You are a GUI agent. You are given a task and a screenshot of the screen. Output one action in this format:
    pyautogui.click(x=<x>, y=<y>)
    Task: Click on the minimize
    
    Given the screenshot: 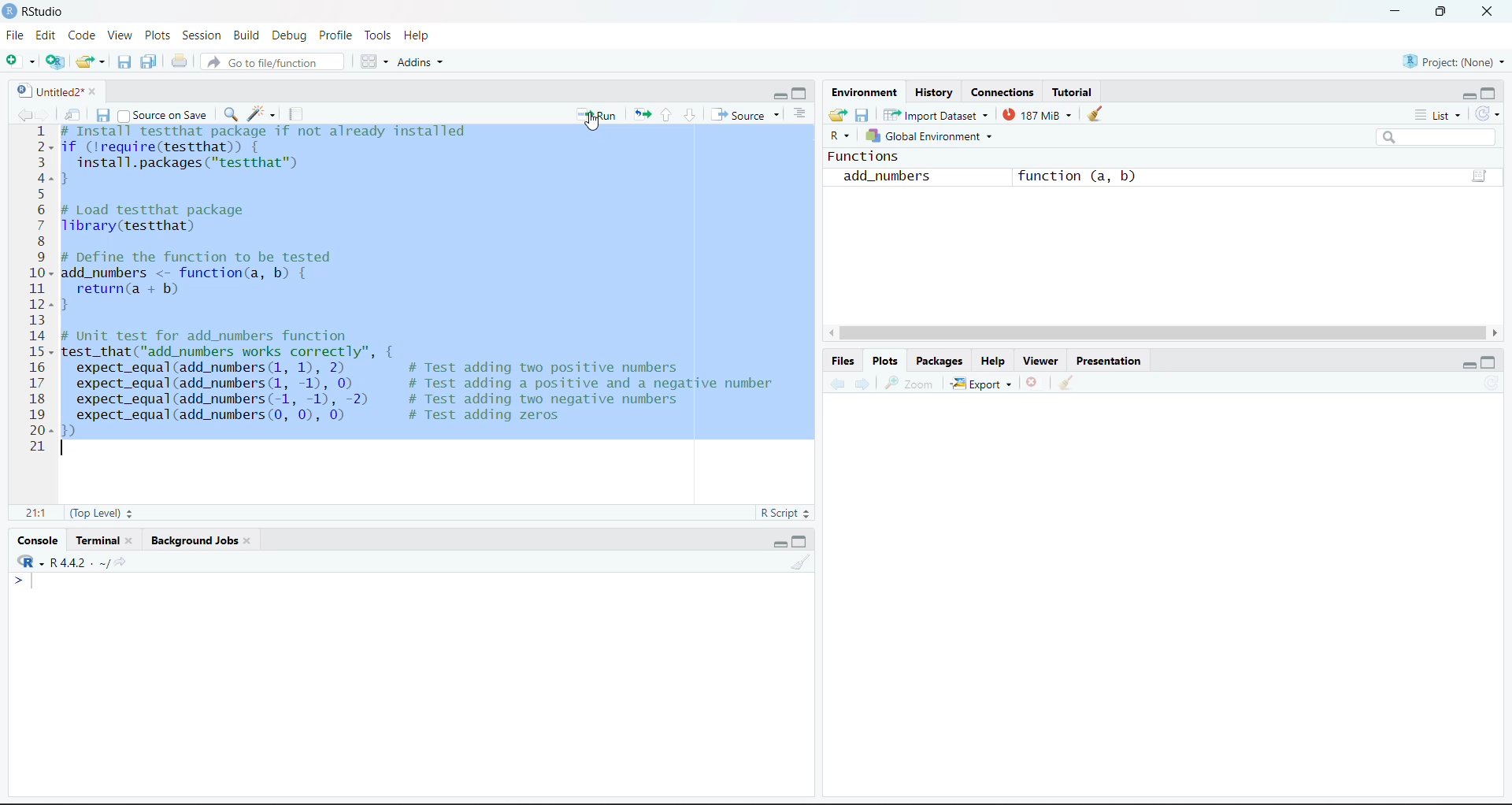 What is the action you would take?
    pyautogui.click(x=1468, y=95)
    